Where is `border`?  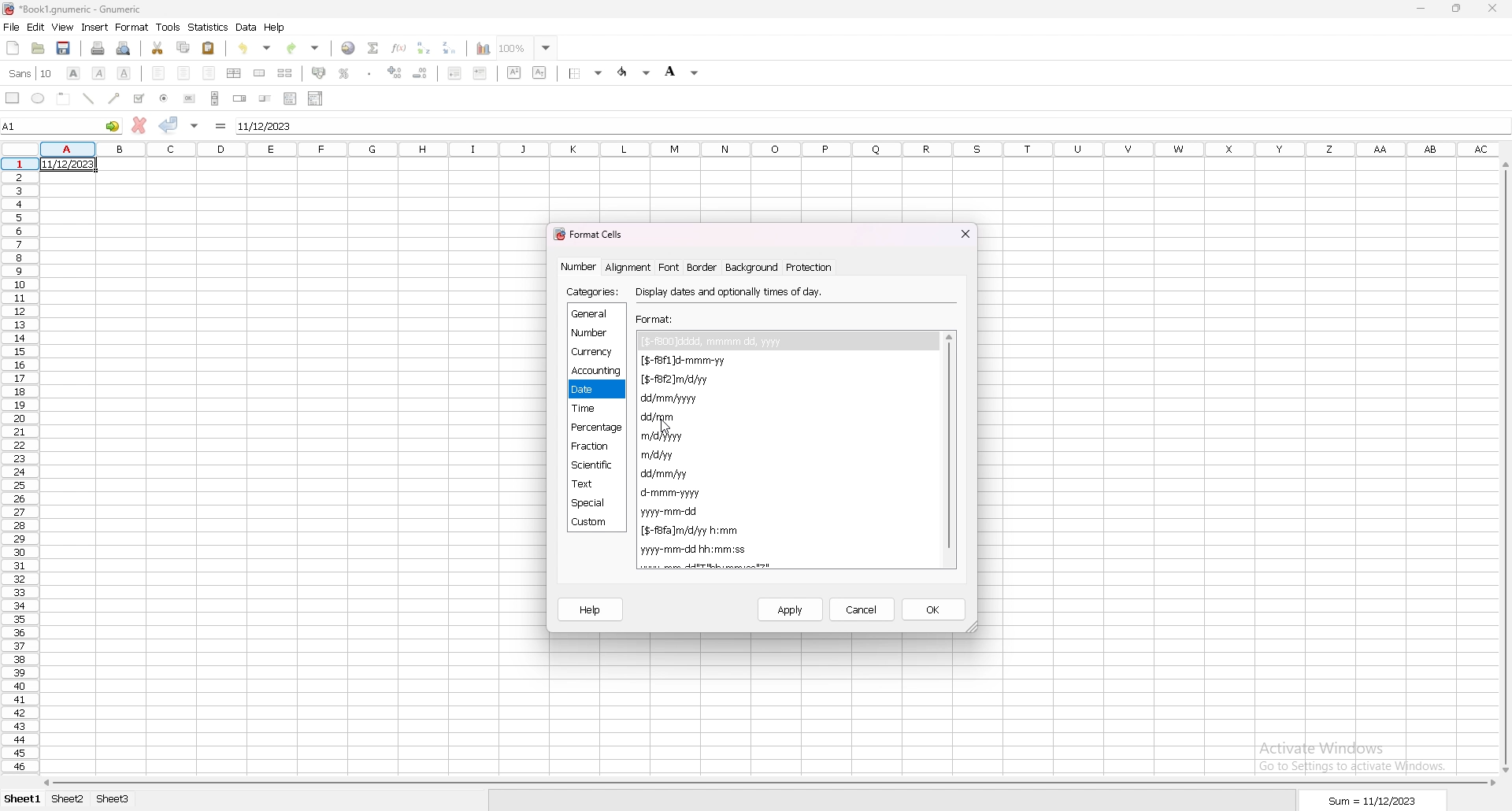 border is located at coordinates (702, 267).